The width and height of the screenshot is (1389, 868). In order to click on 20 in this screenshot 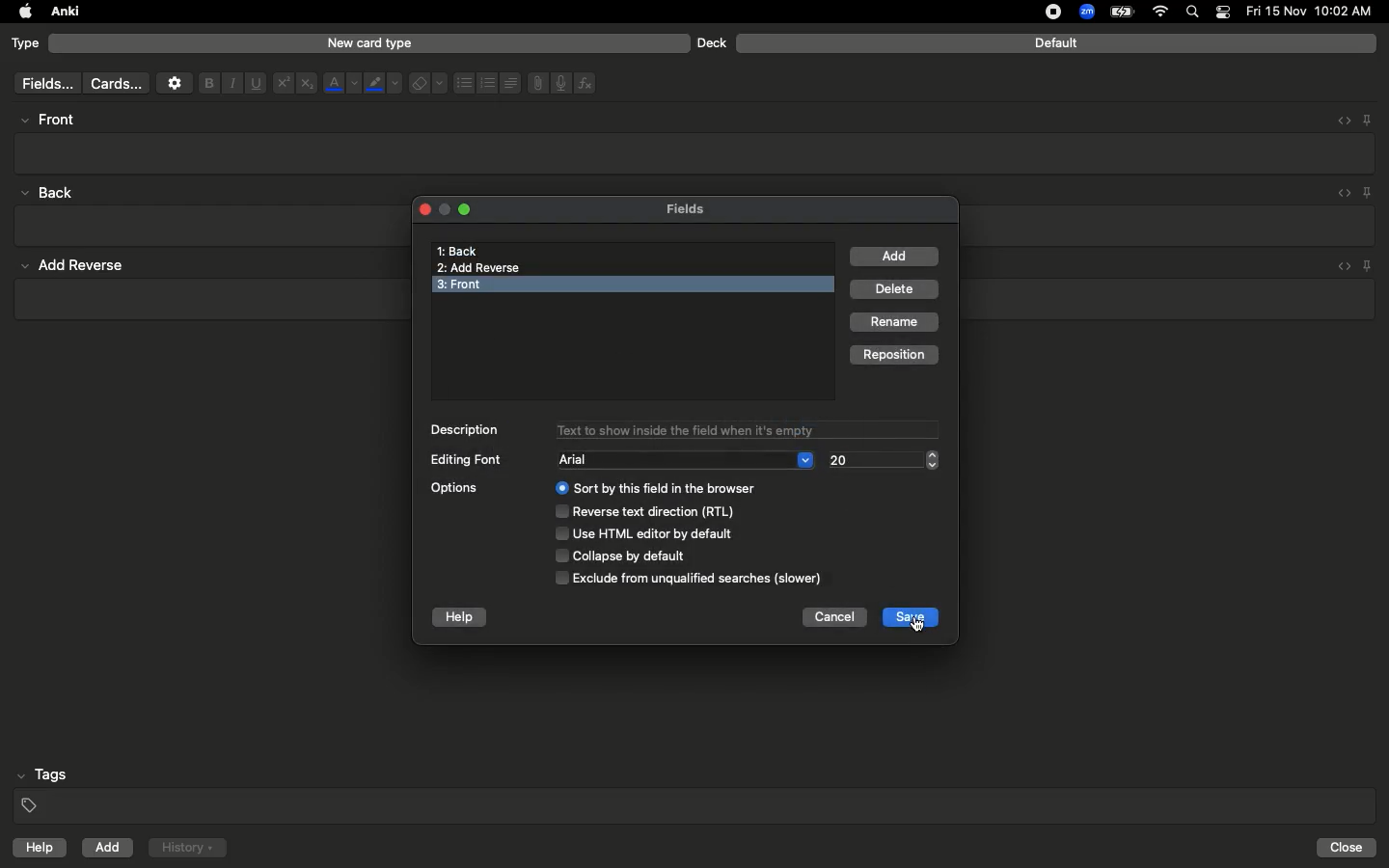, I will do `click(849, 460)`.